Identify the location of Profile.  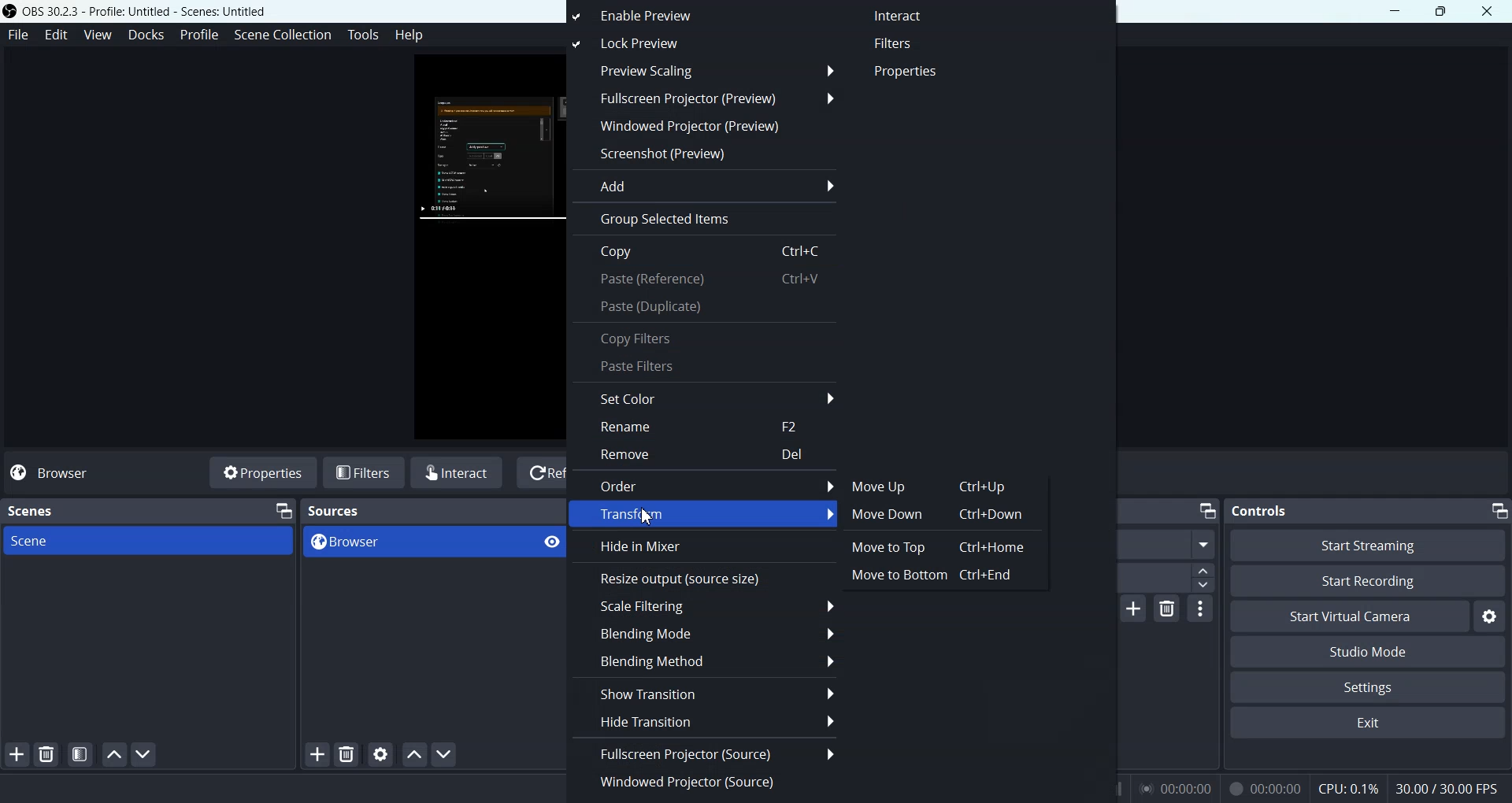
(200, 35).